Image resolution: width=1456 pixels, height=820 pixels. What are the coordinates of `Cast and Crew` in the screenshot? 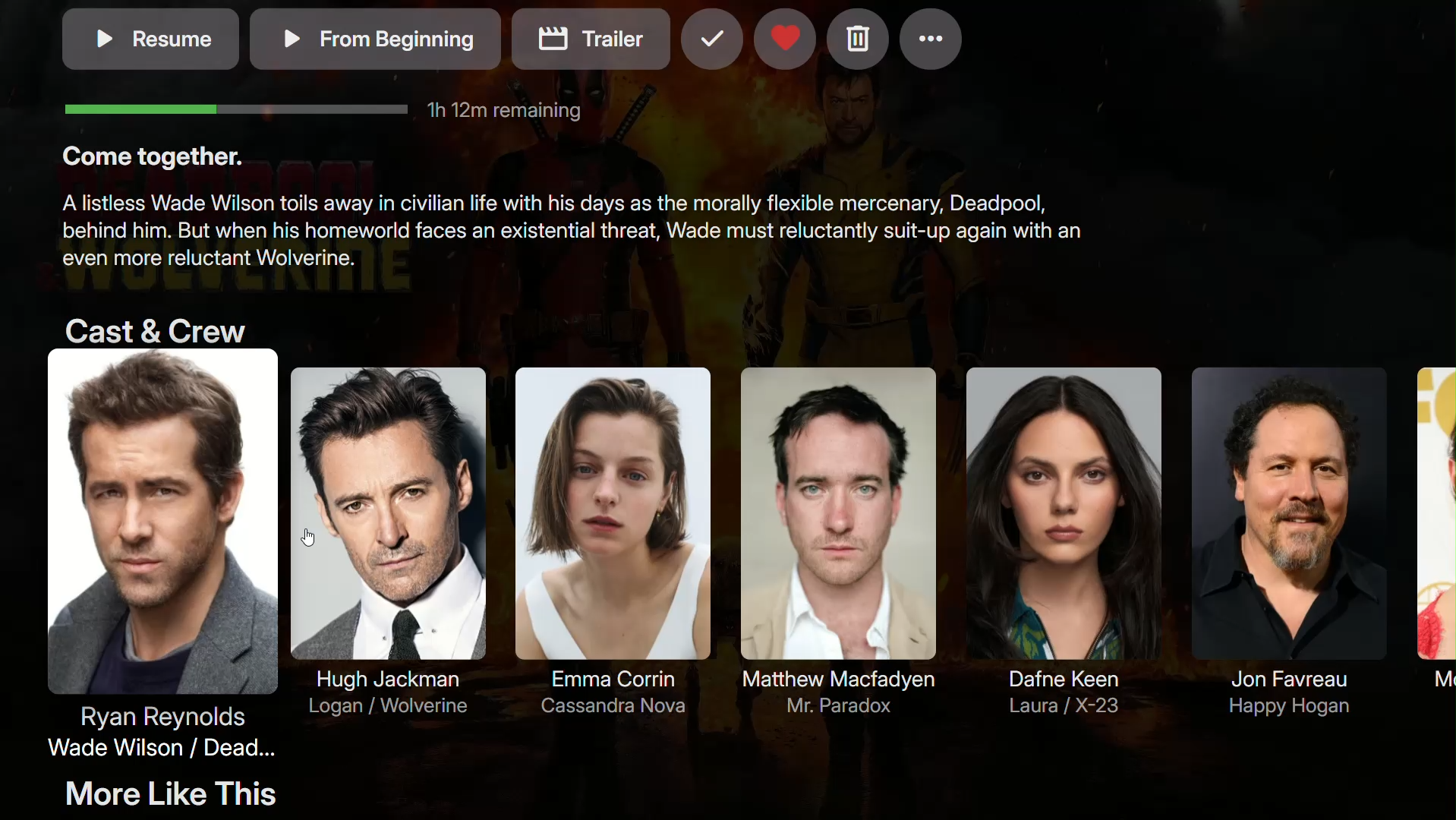 It's located at (150, 327).